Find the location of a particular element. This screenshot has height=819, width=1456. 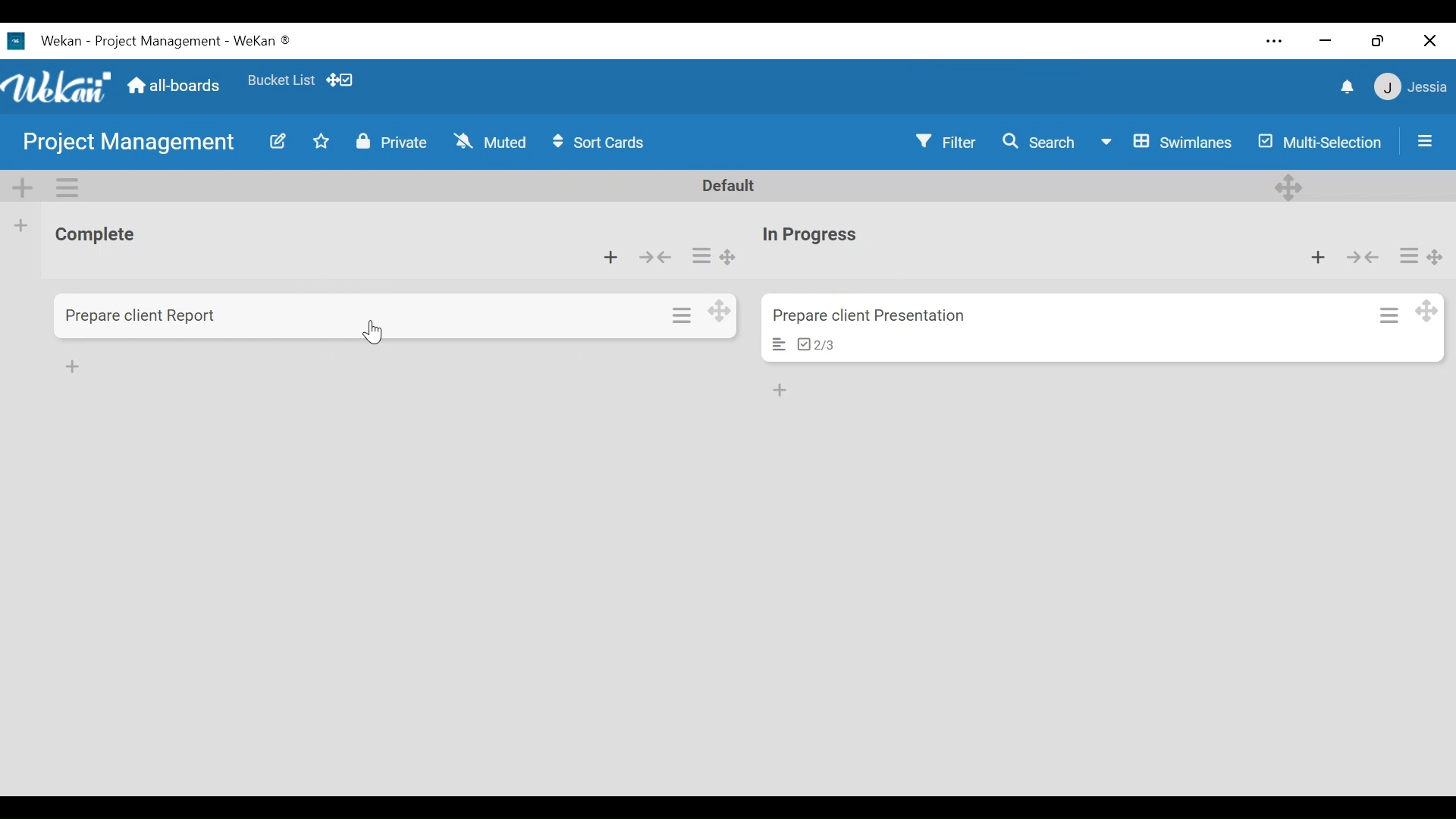

minimize is located at coordinates (1327, 42).